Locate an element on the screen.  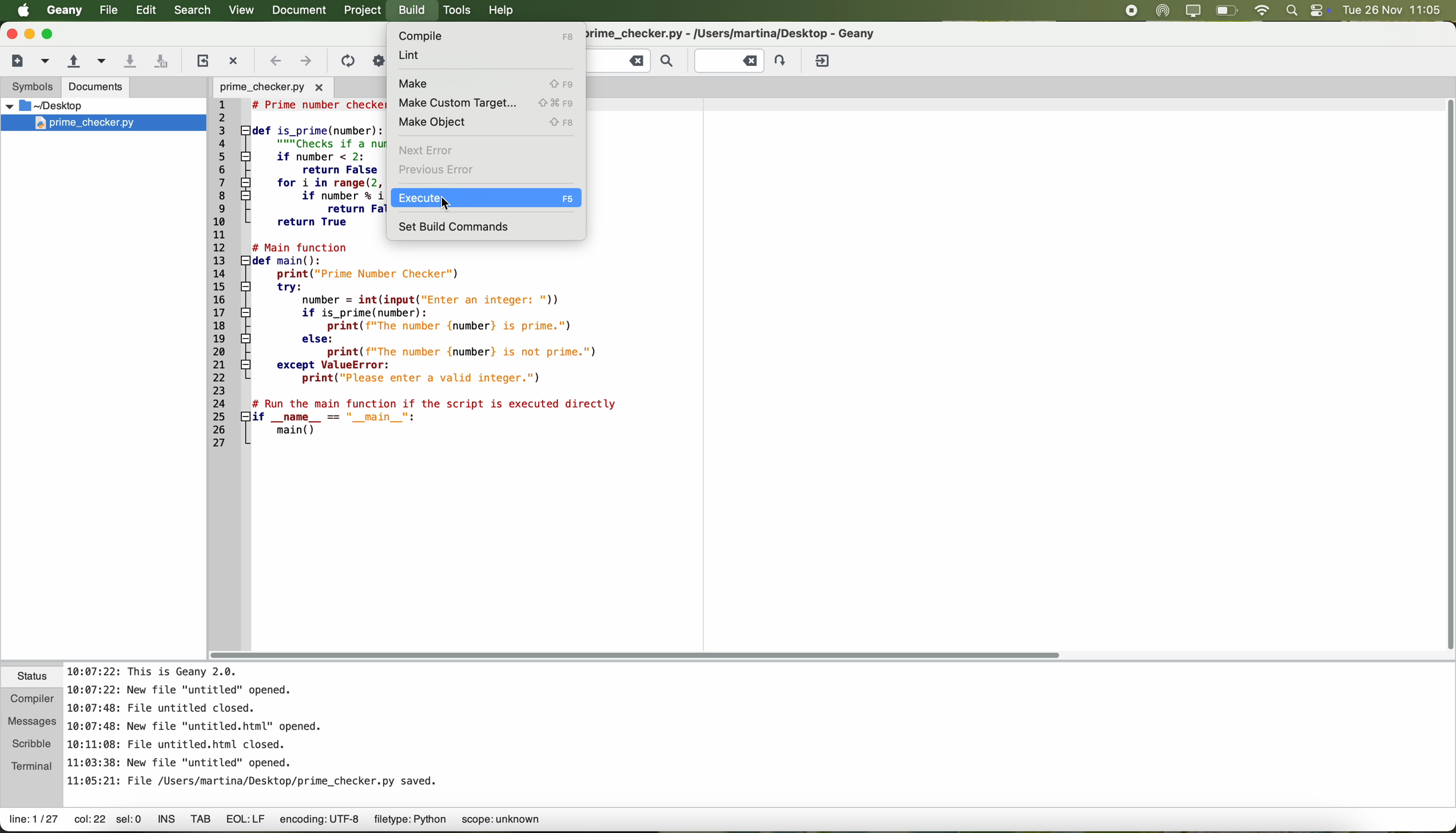
airdrop is located at coordinates (1163, 11).